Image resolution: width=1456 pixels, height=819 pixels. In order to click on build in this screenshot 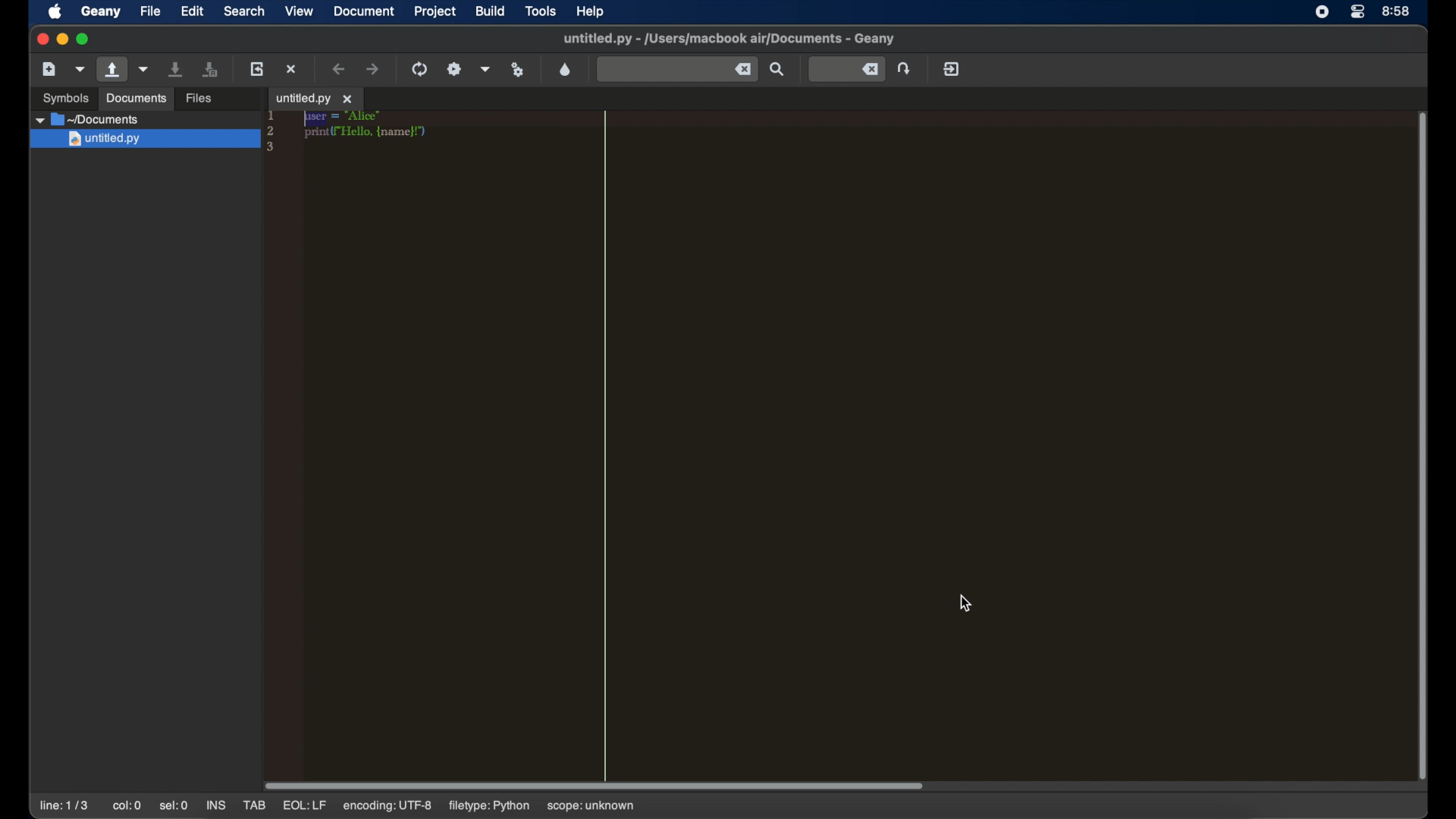, I will do `click(491, 11)`.